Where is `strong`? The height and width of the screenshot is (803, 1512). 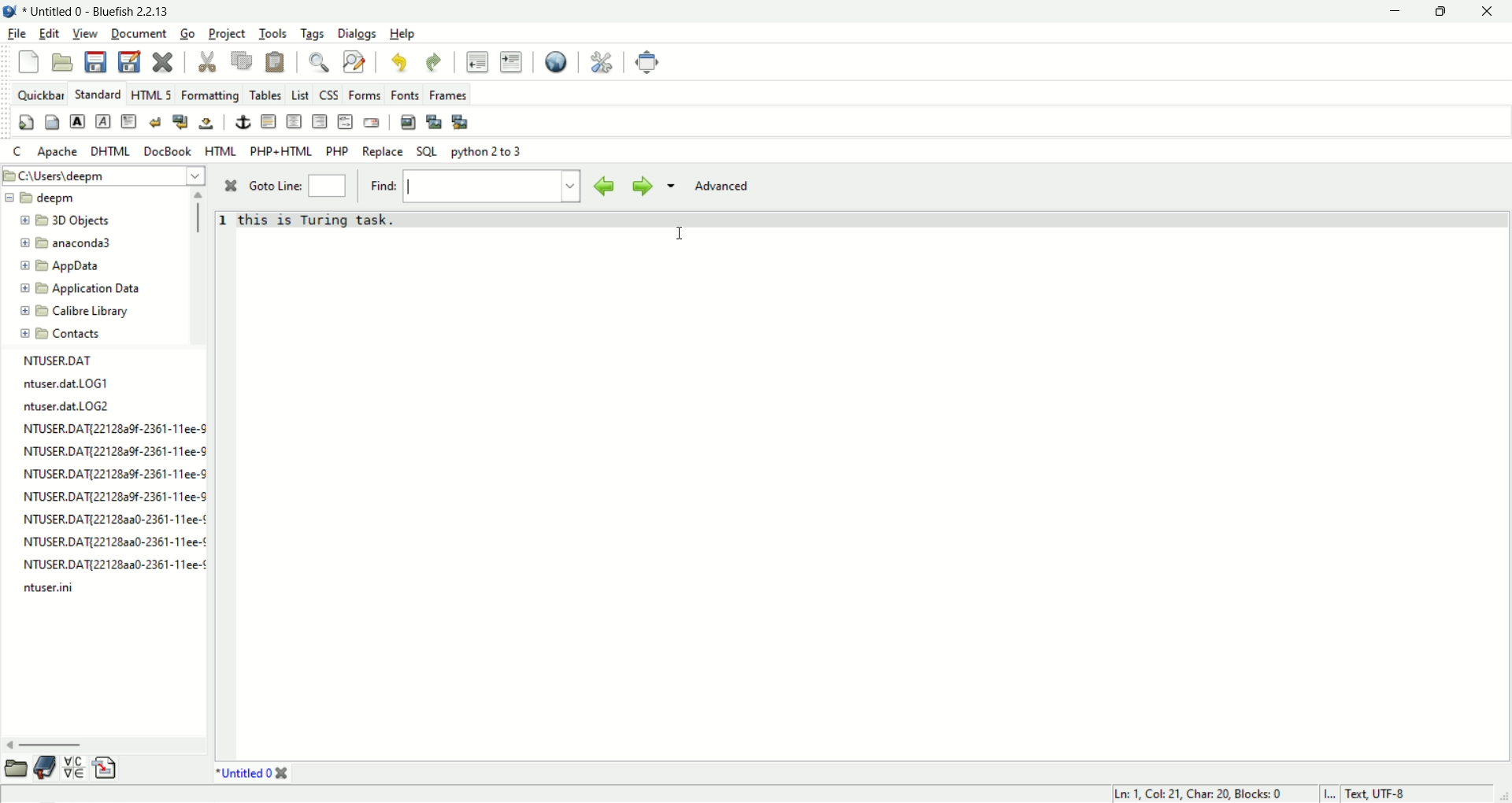 strong is located at coordinates (78, 121).